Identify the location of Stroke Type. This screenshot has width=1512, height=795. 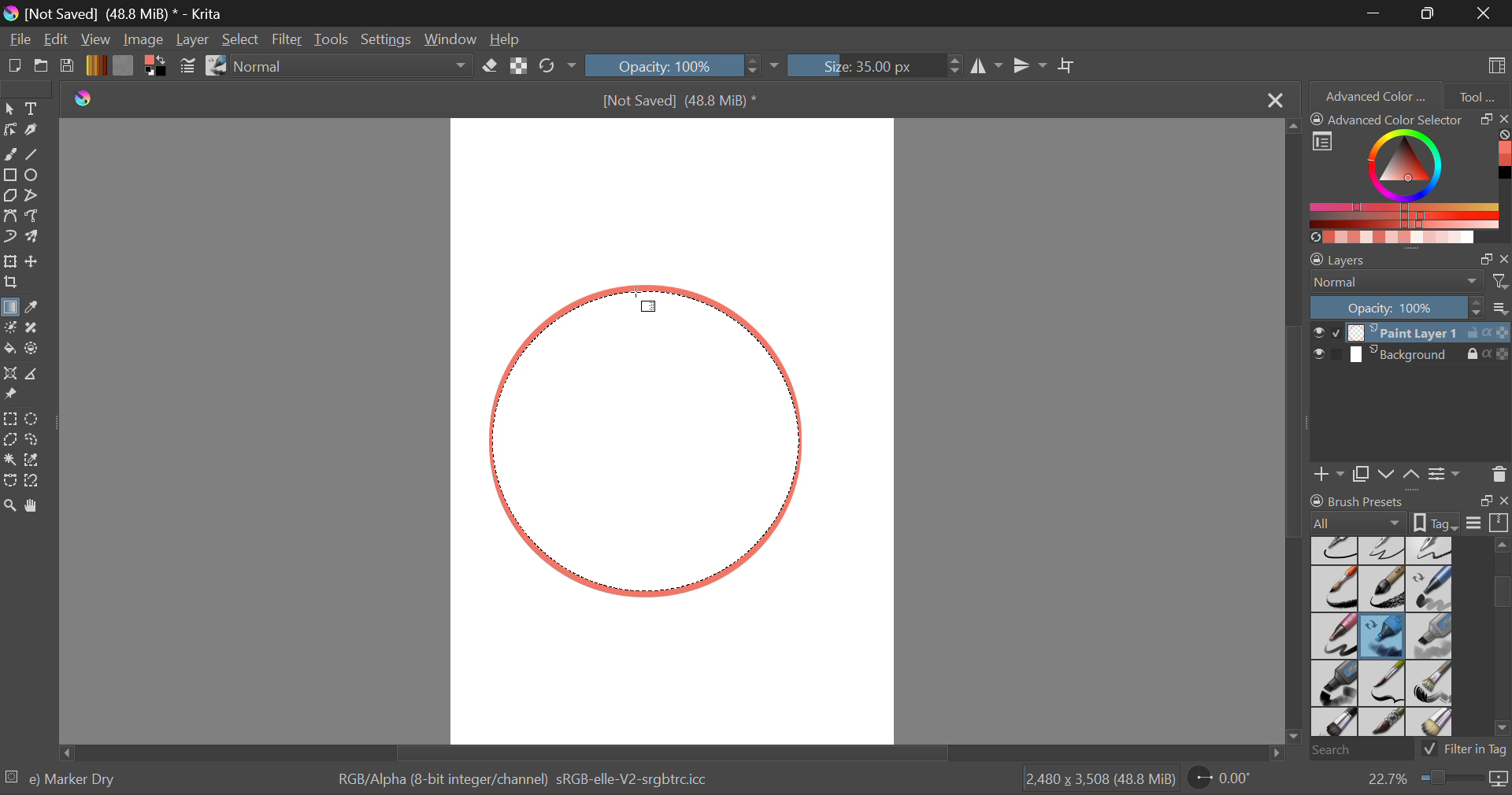
(215, 67).